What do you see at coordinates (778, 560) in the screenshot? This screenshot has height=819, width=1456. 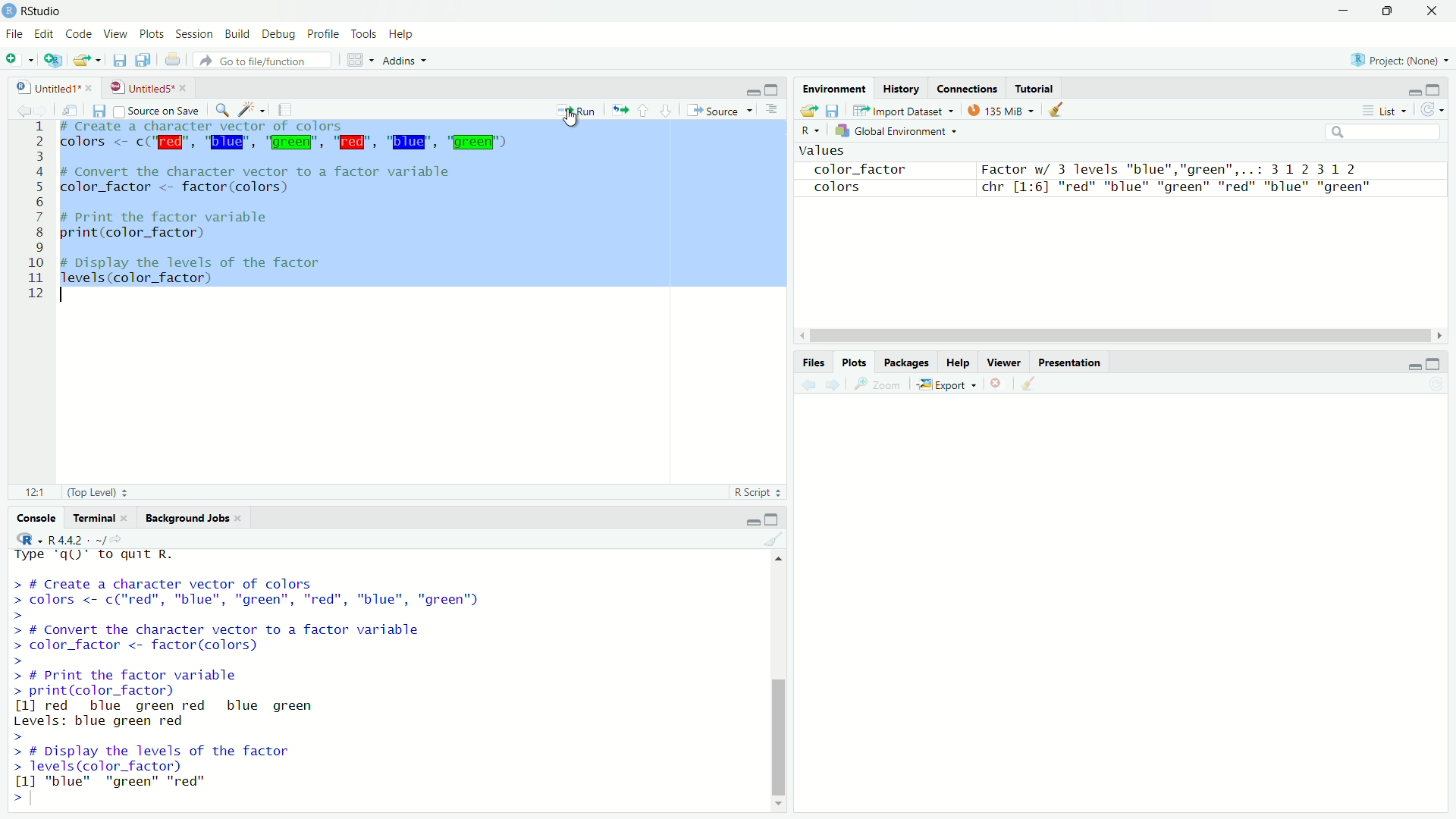 I see `move top` at bounding box center [778, 560].